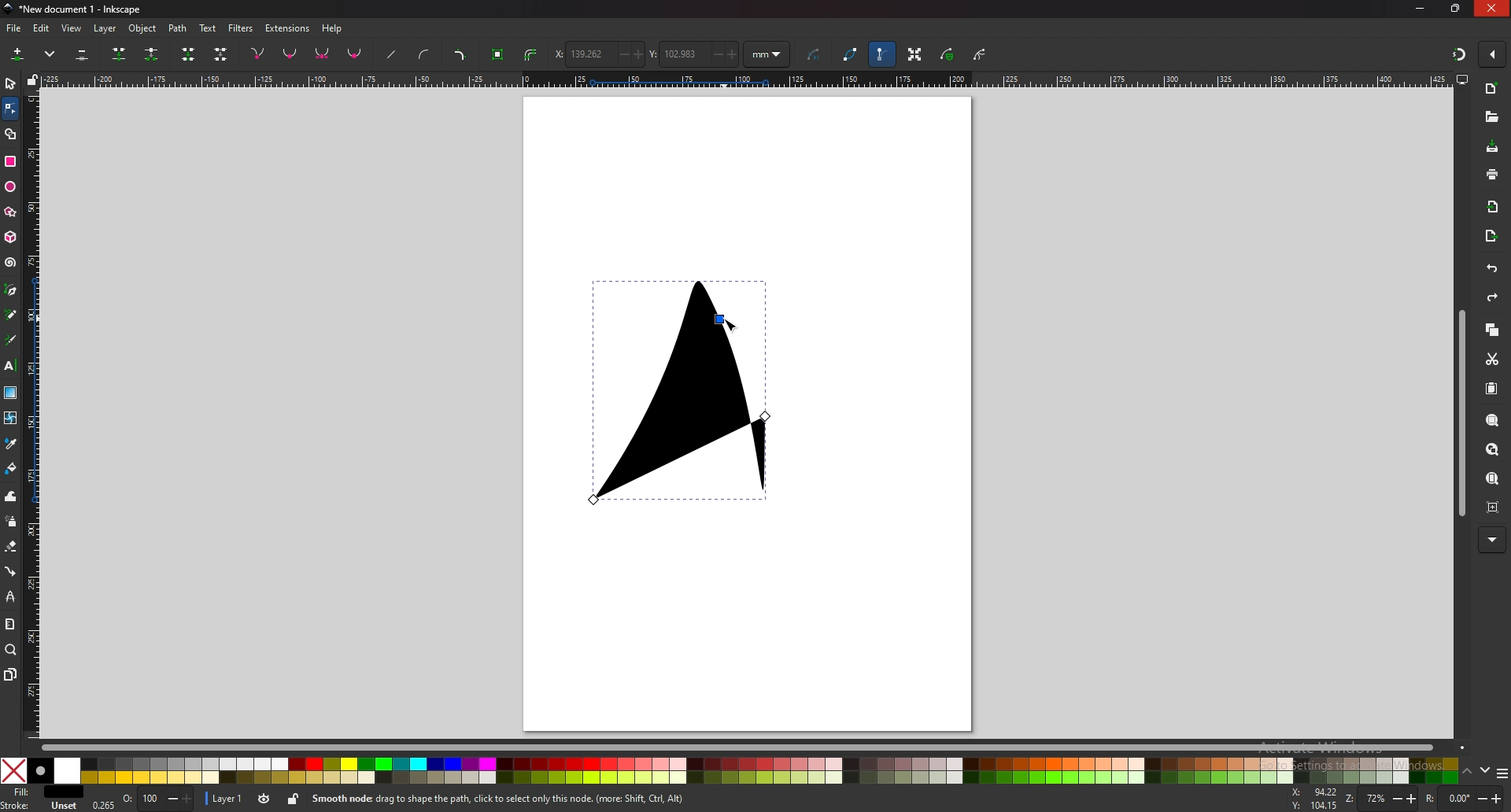 The height and width of the screenshot is (812, 1511). Describe the element at coordinates (18, 54) in the screenshot. I see `insert new nodes` at that location.